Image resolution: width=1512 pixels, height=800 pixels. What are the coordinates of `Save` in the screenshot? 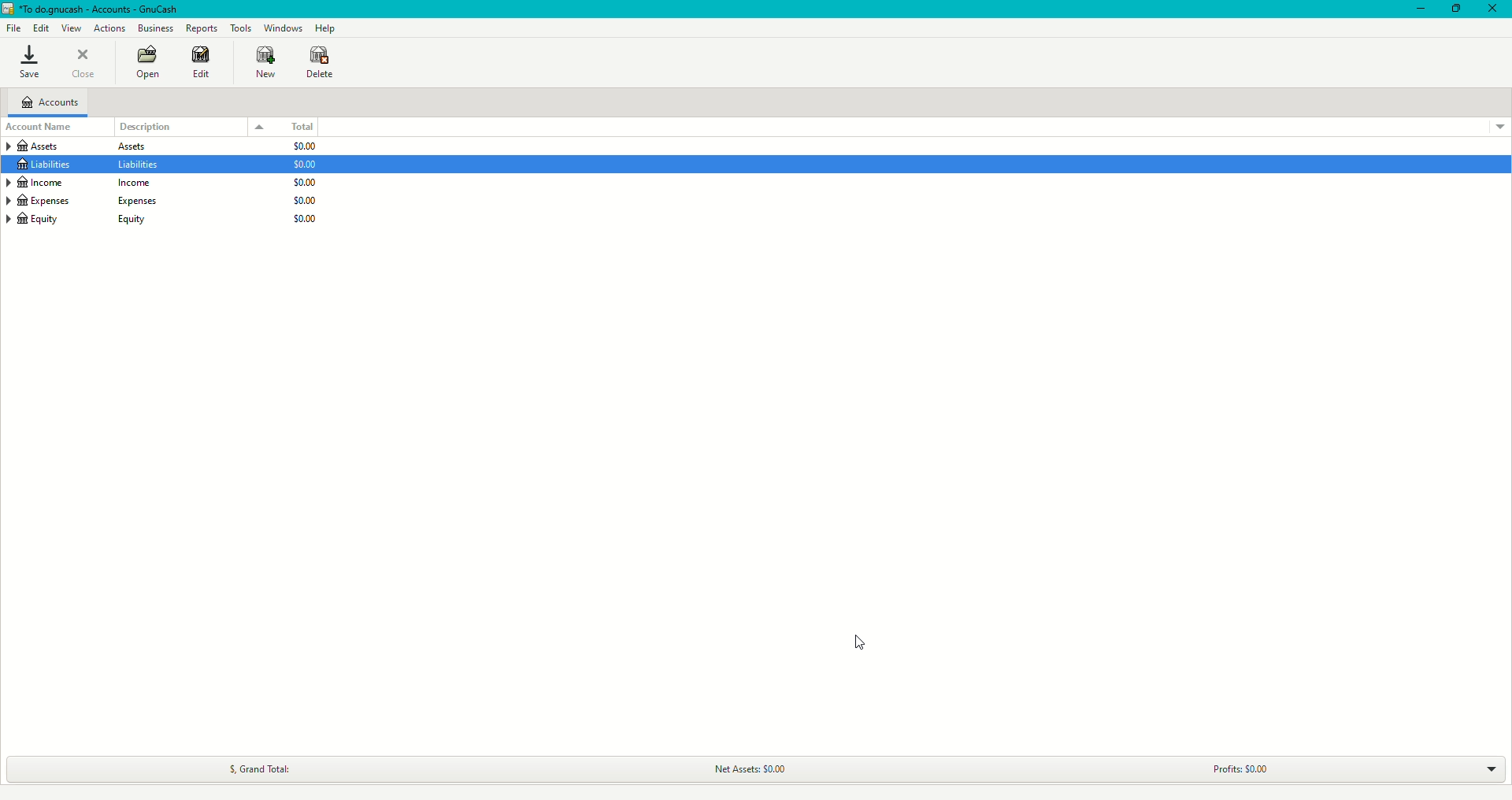 It's located at (28, 65).